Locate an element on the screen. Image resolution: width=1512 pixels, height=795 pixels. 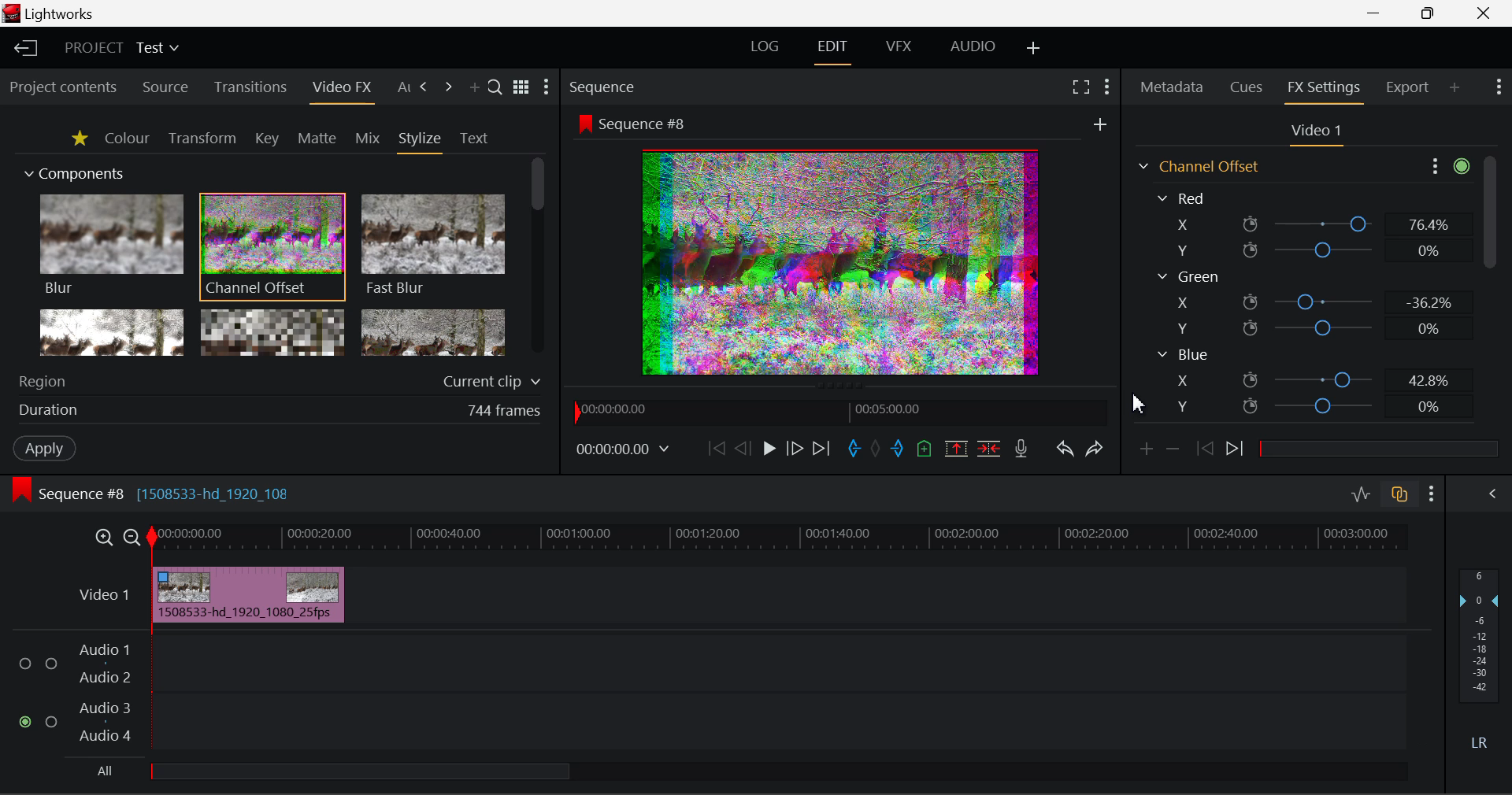
Source is located at coordinates (167, 87).